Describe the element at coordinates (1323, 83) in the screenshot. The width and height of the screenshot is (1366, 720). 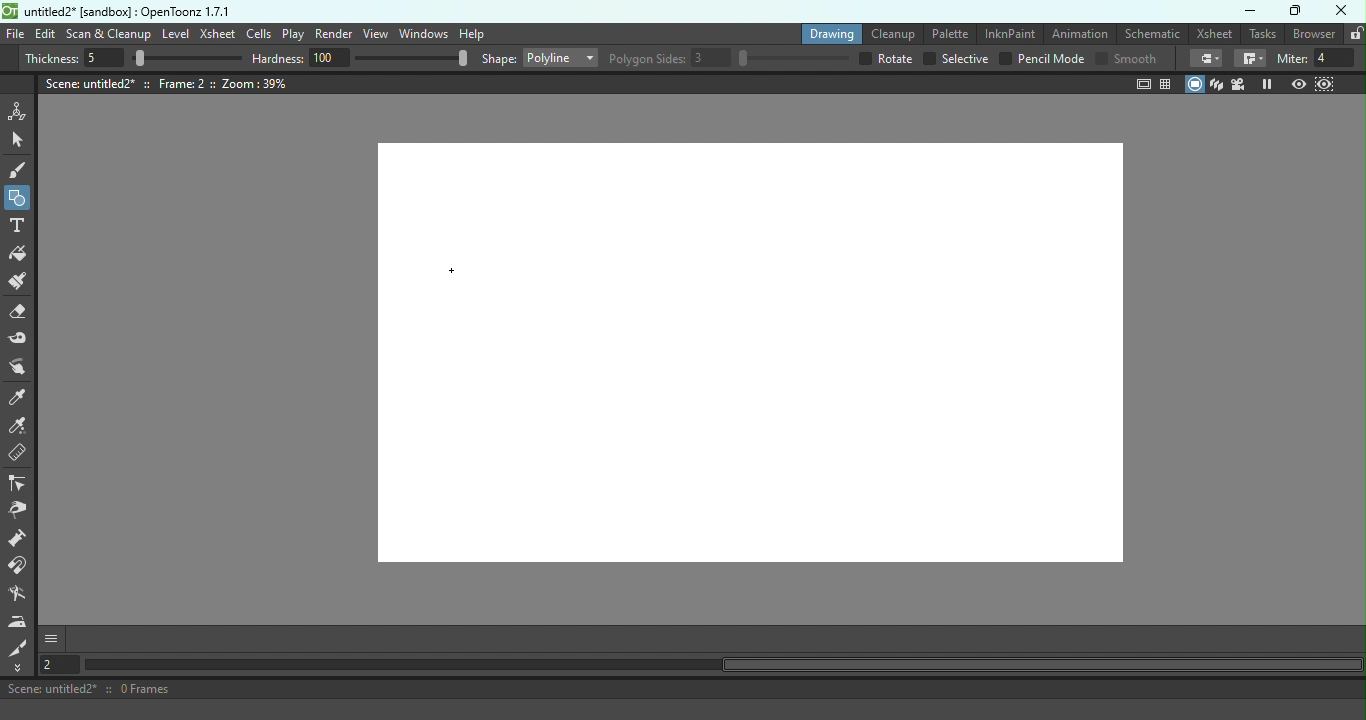
I see `Sub-camera preview` at that location.